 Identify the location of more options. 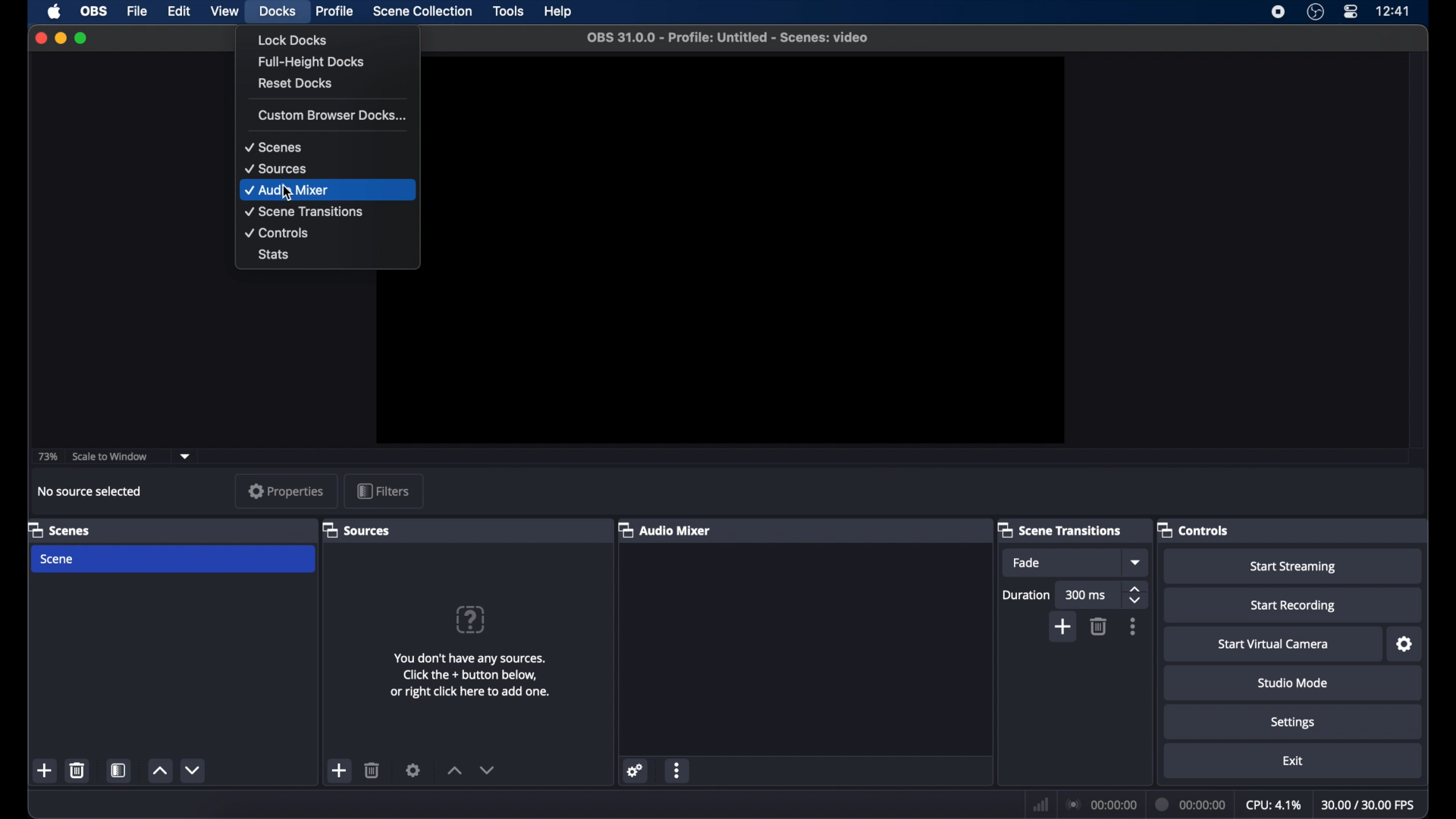
(1134, 627).